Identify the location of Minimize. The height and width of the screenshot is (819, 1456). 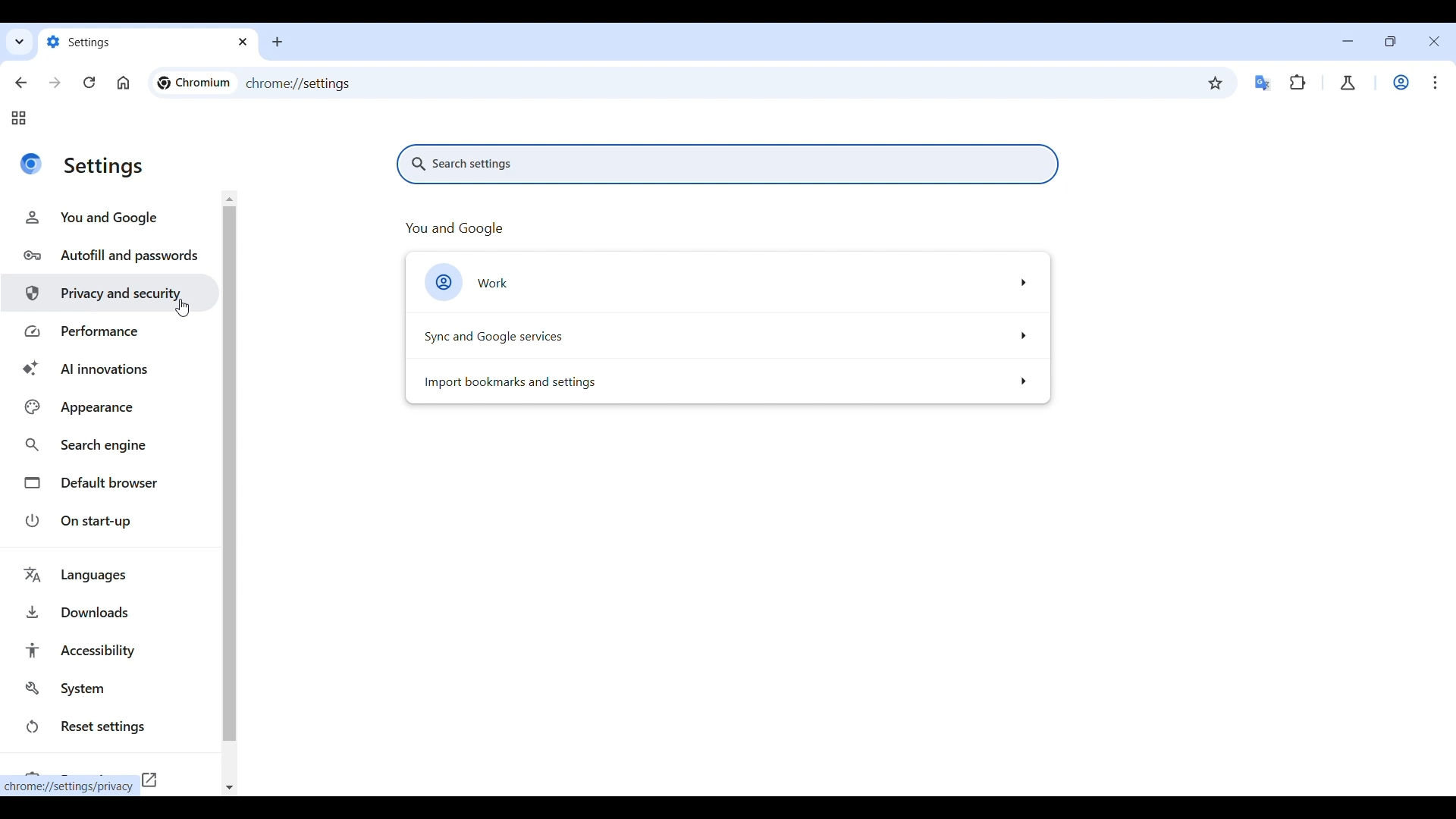
(1348, 41).